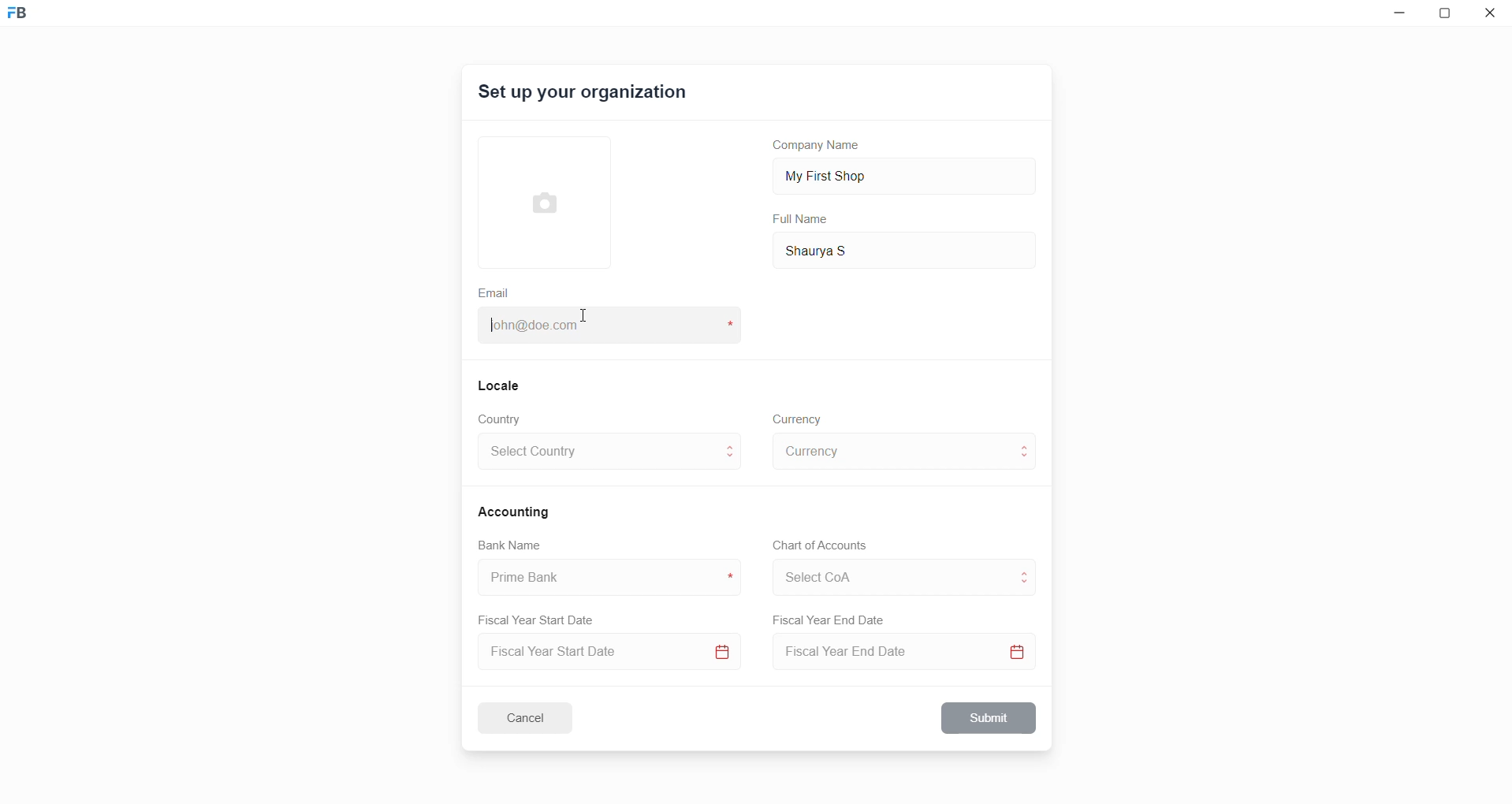  What do you see at coordinates (586, 321) in the screenshot?
I see `cursor` at bounding box center [586, 321].